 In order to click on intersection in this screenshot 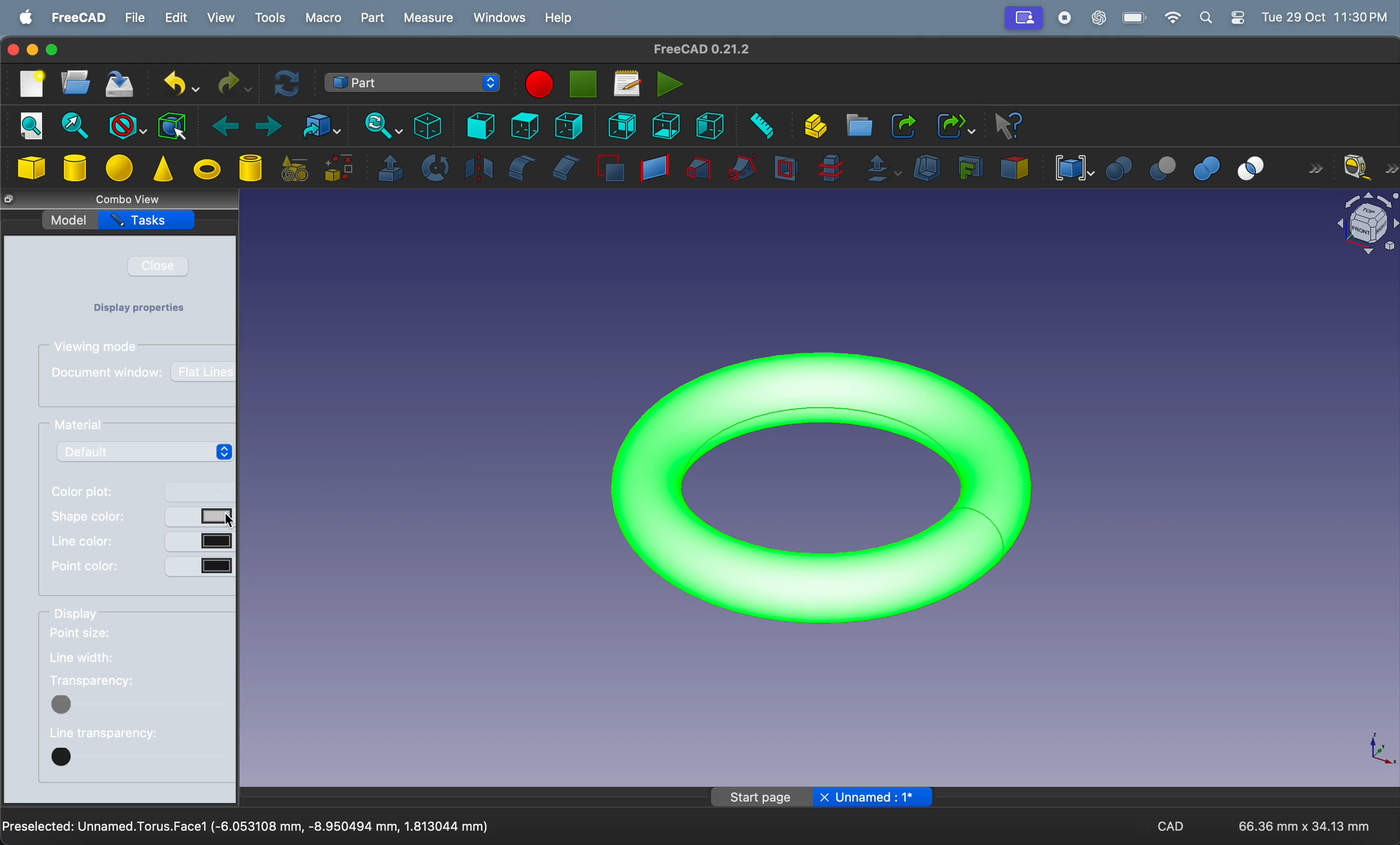, I will do `click(1256, 167)`.